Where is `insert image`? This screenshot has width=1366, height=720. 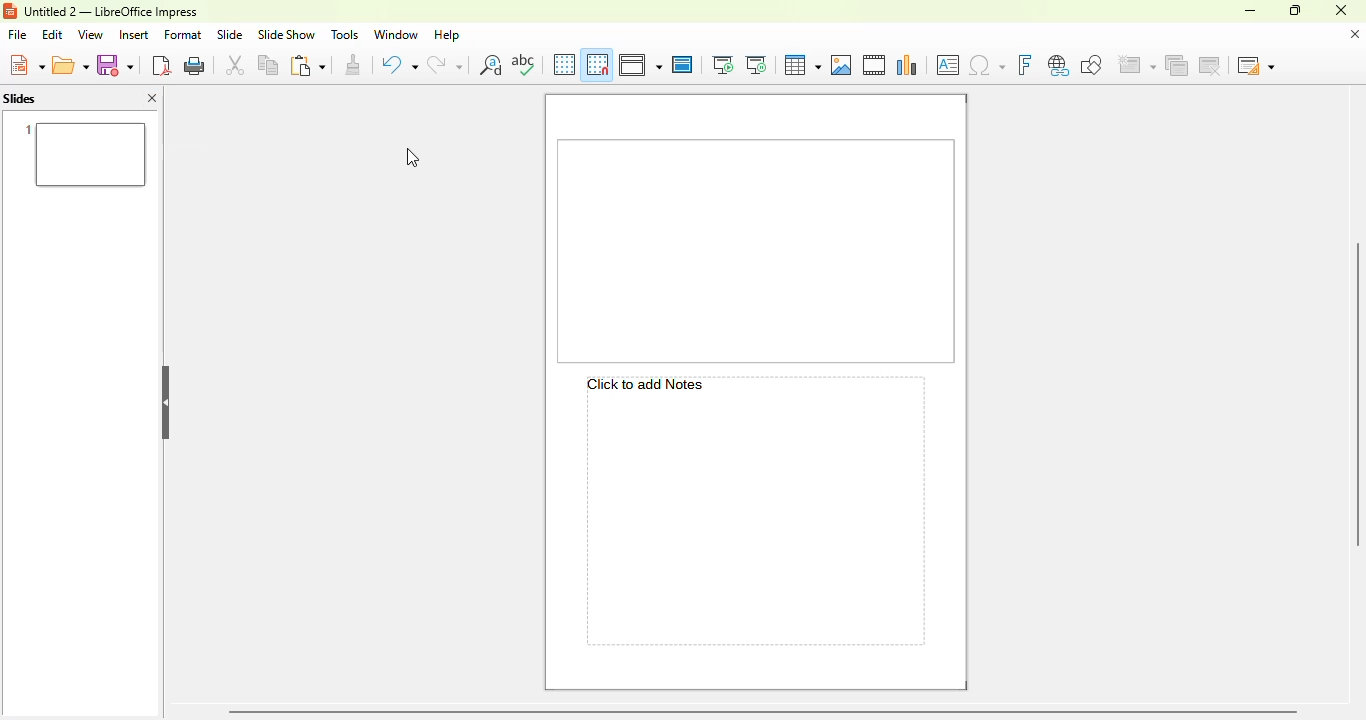
insert image is located at coordinates (842, 65).